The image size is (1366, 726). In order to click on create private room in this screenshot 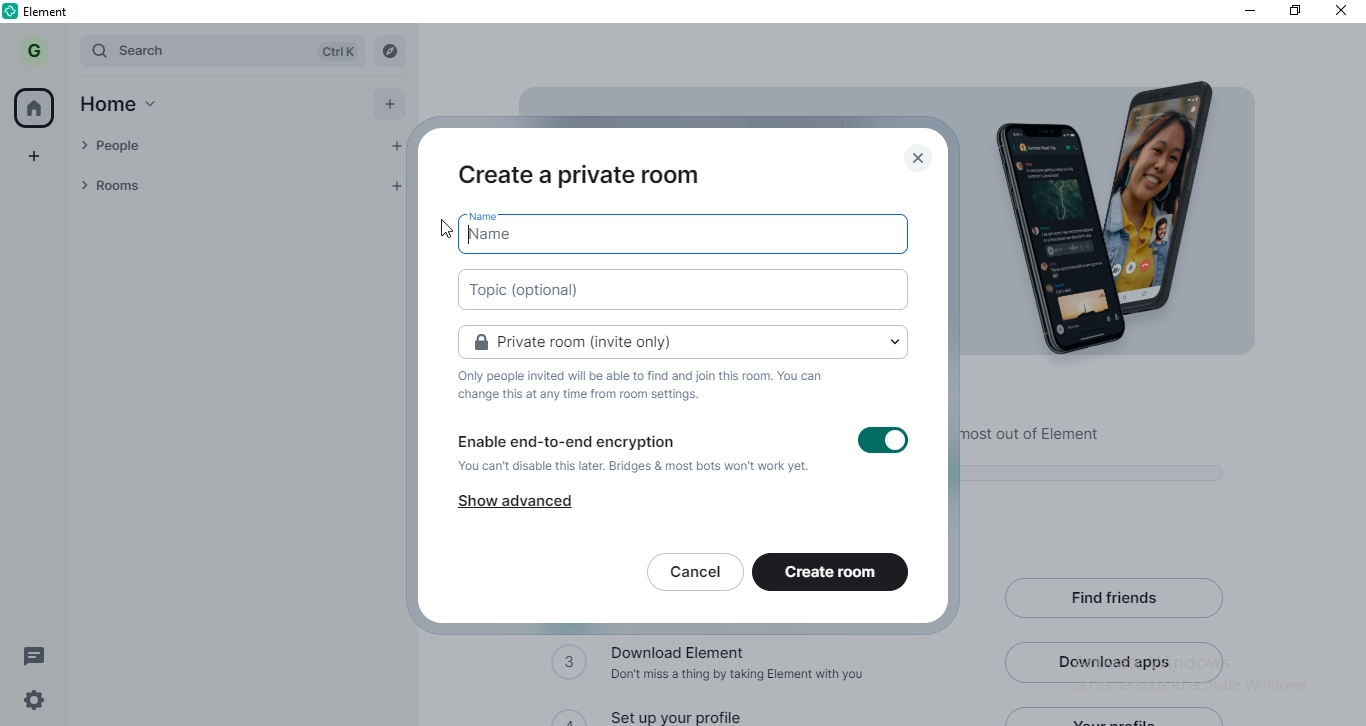, I will do `click(584, 173)`.